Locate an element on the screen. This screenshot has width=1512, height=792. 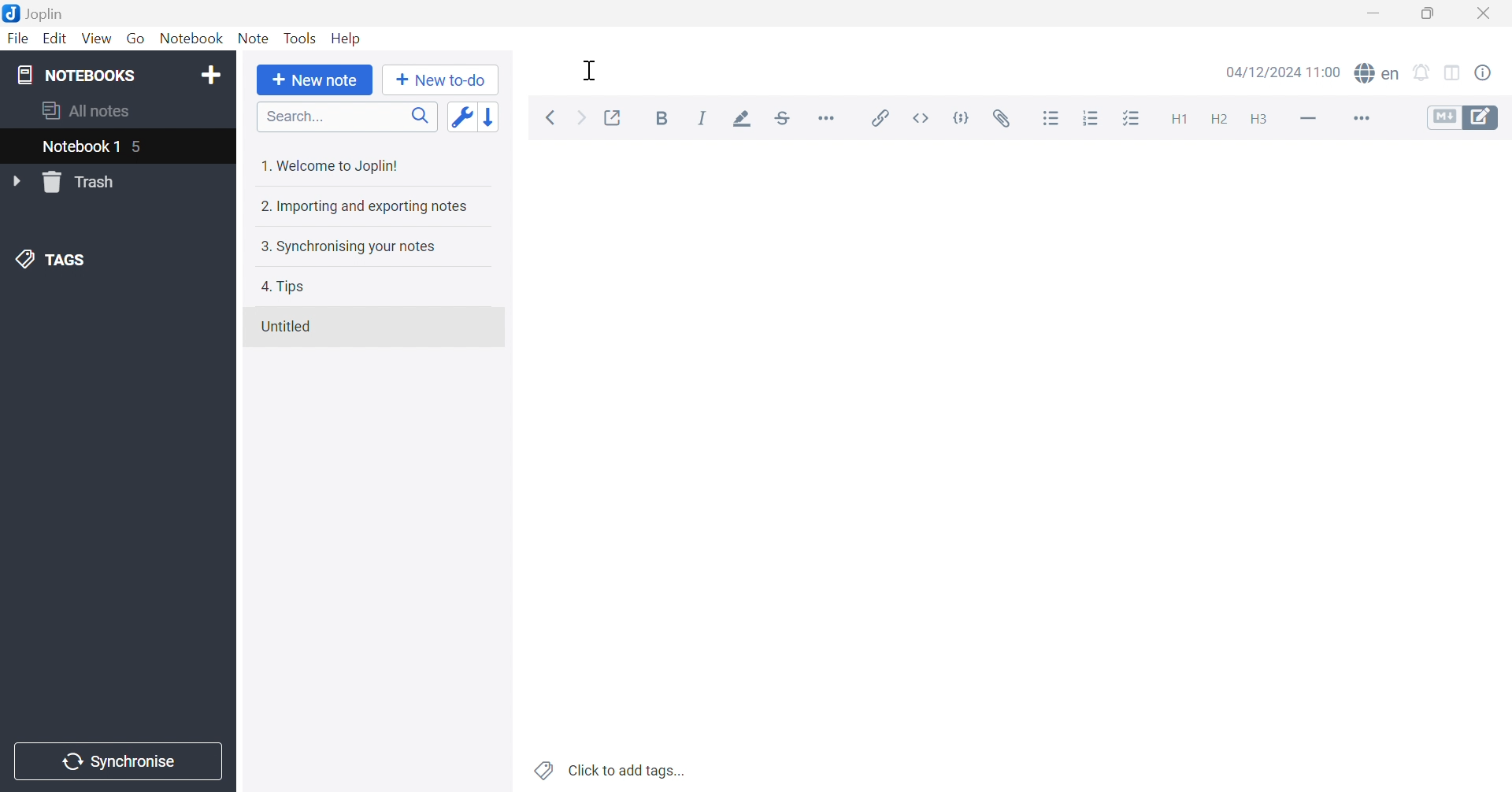
New to-do is located at coordinates (442, 78).